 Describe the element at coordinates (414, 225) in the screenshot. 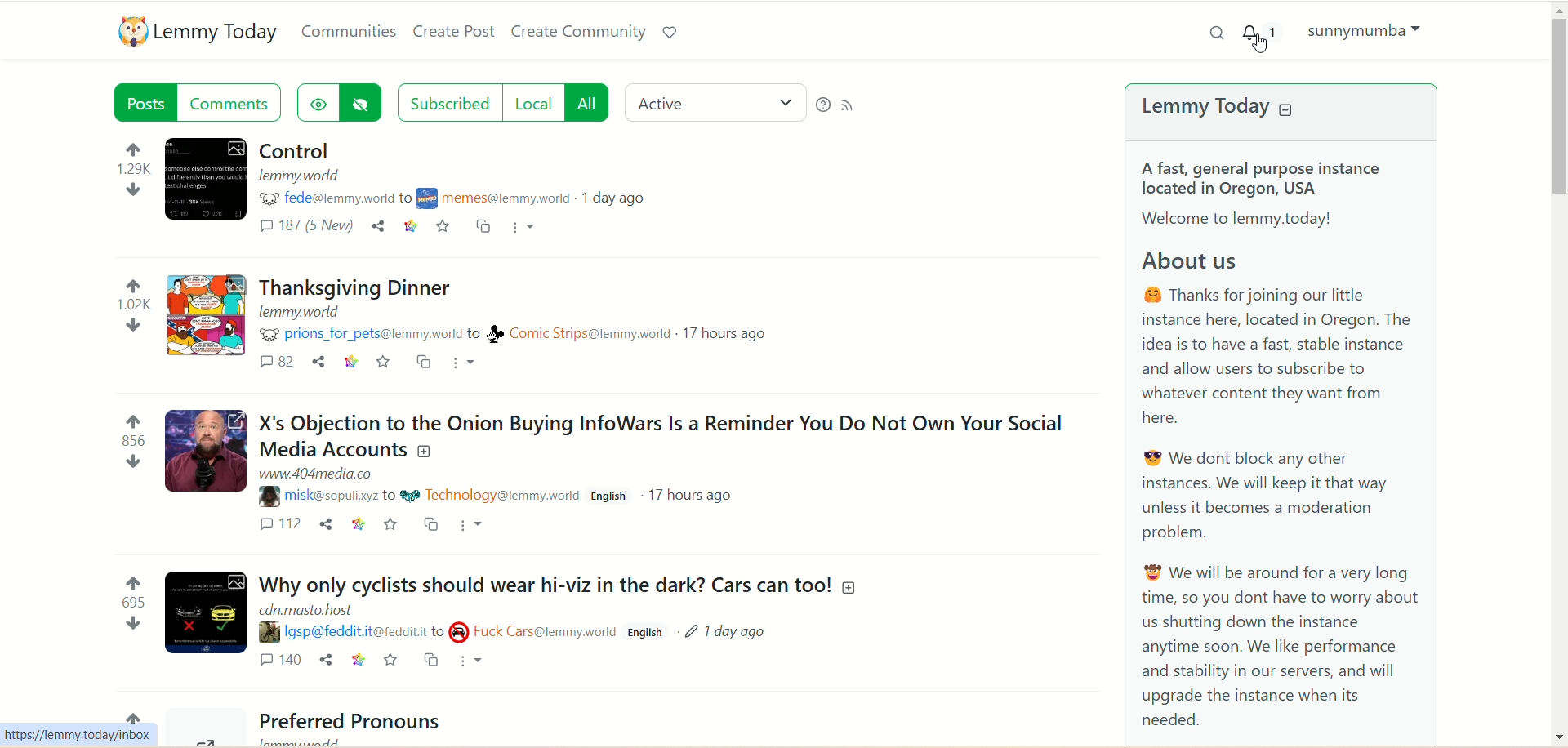

I see `context` at that location.